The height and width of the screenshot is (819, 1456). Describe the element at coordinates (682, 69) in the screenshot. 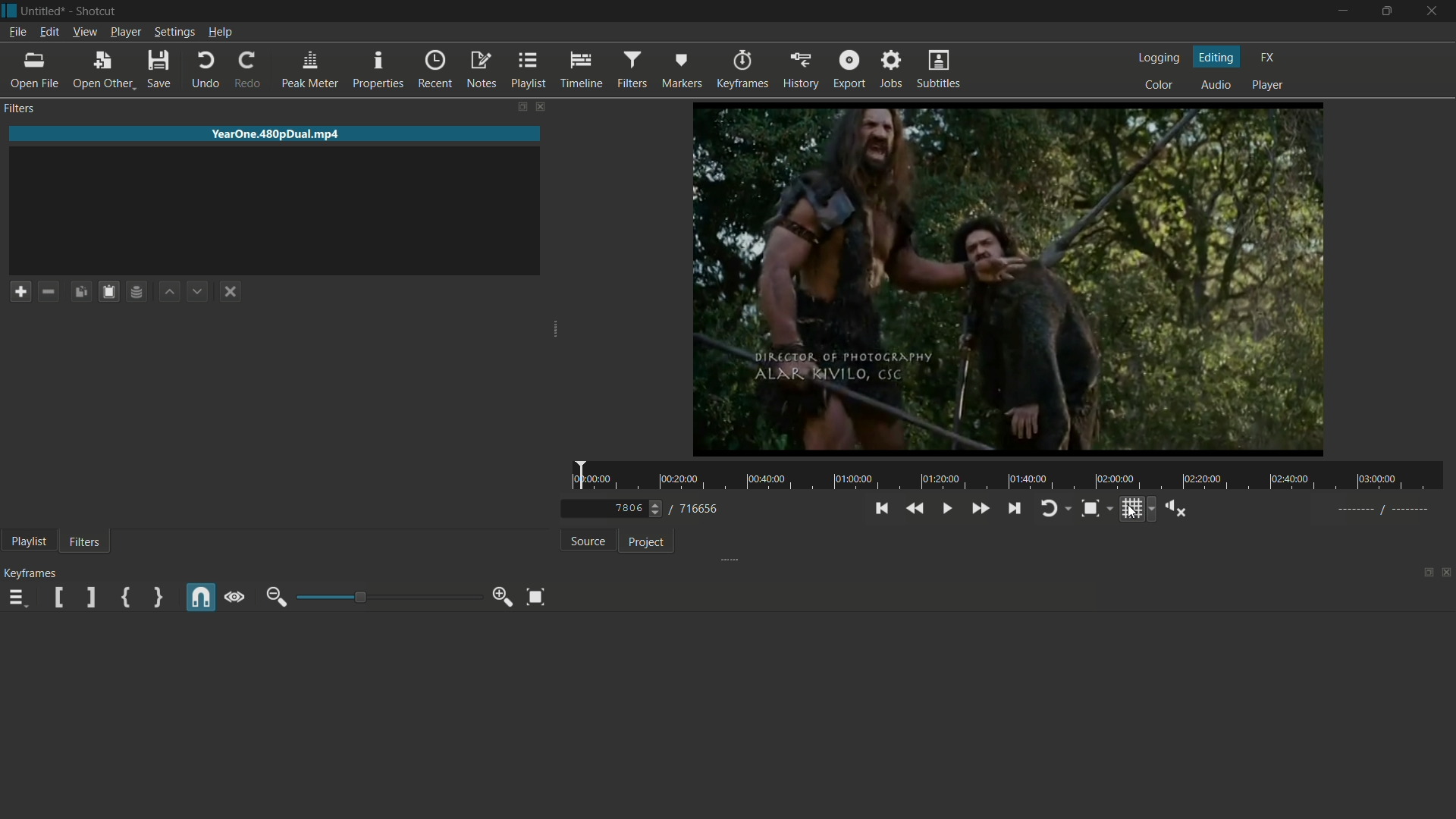

I see `markers` at that location.